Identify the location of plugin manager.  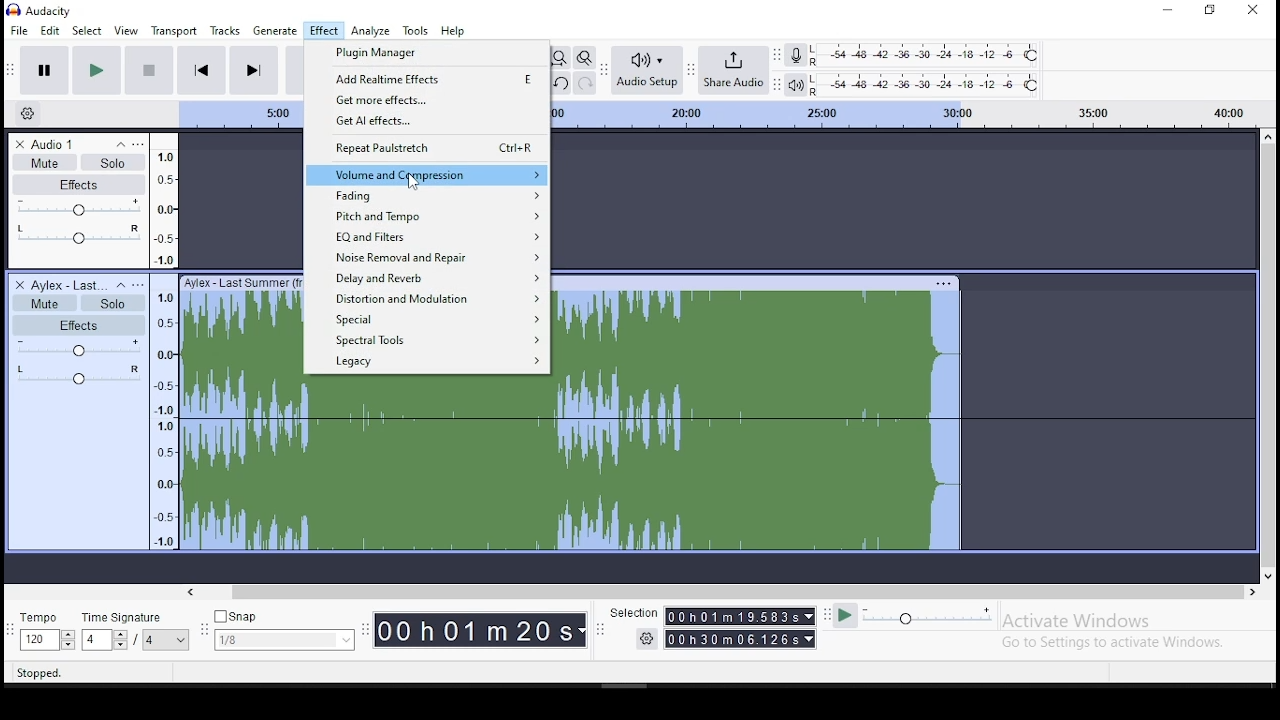
(426, 53).